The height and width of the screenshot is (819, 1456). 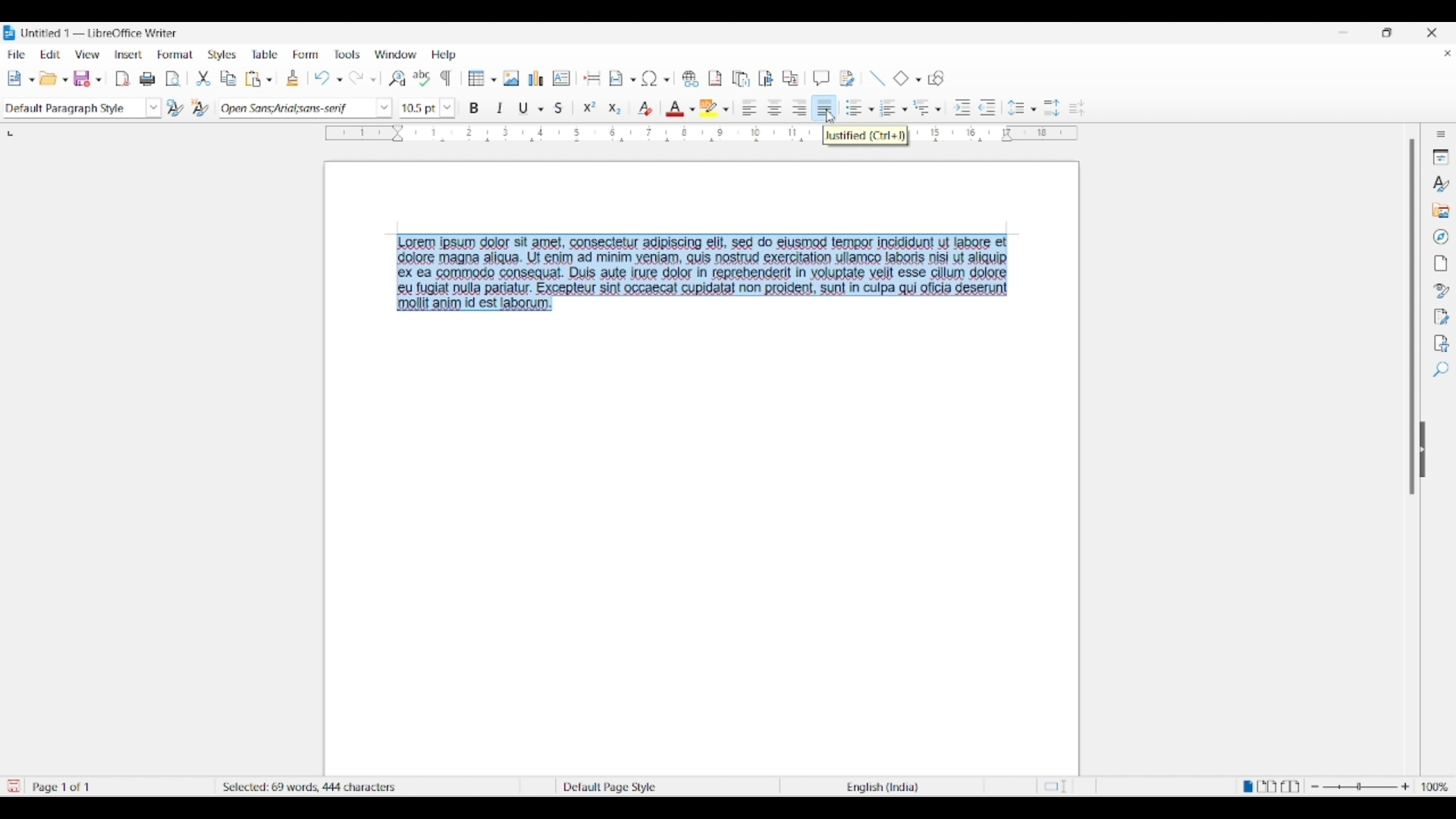 What do you see at coordinates (1077, 108) in the screenshot?
I see `Decrease line spacing` at bounding box center [1077, 108].